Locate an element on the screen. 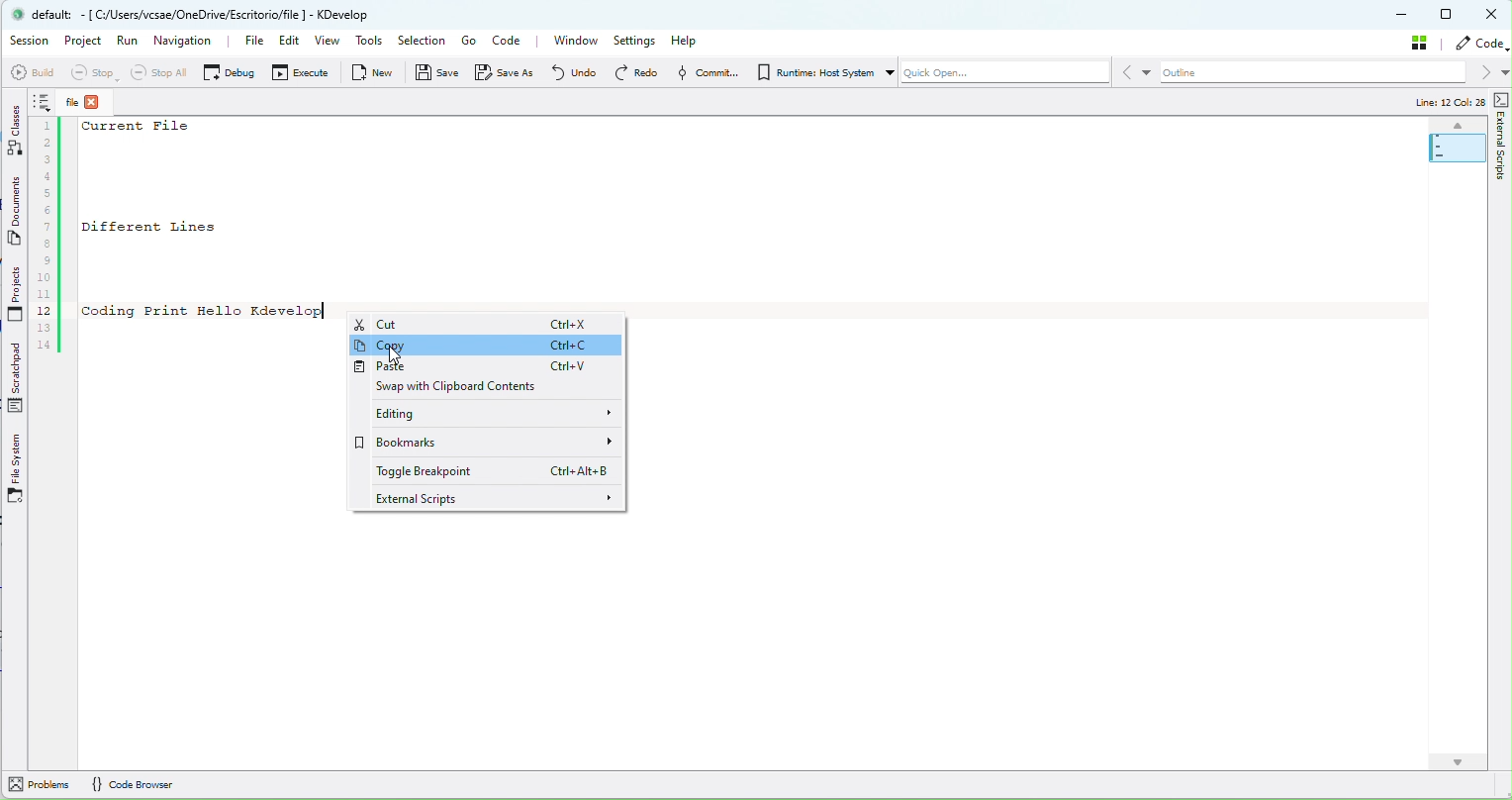 The height and width of the screenshot is (800, 1512). Help is located at coordinates (691, 40).